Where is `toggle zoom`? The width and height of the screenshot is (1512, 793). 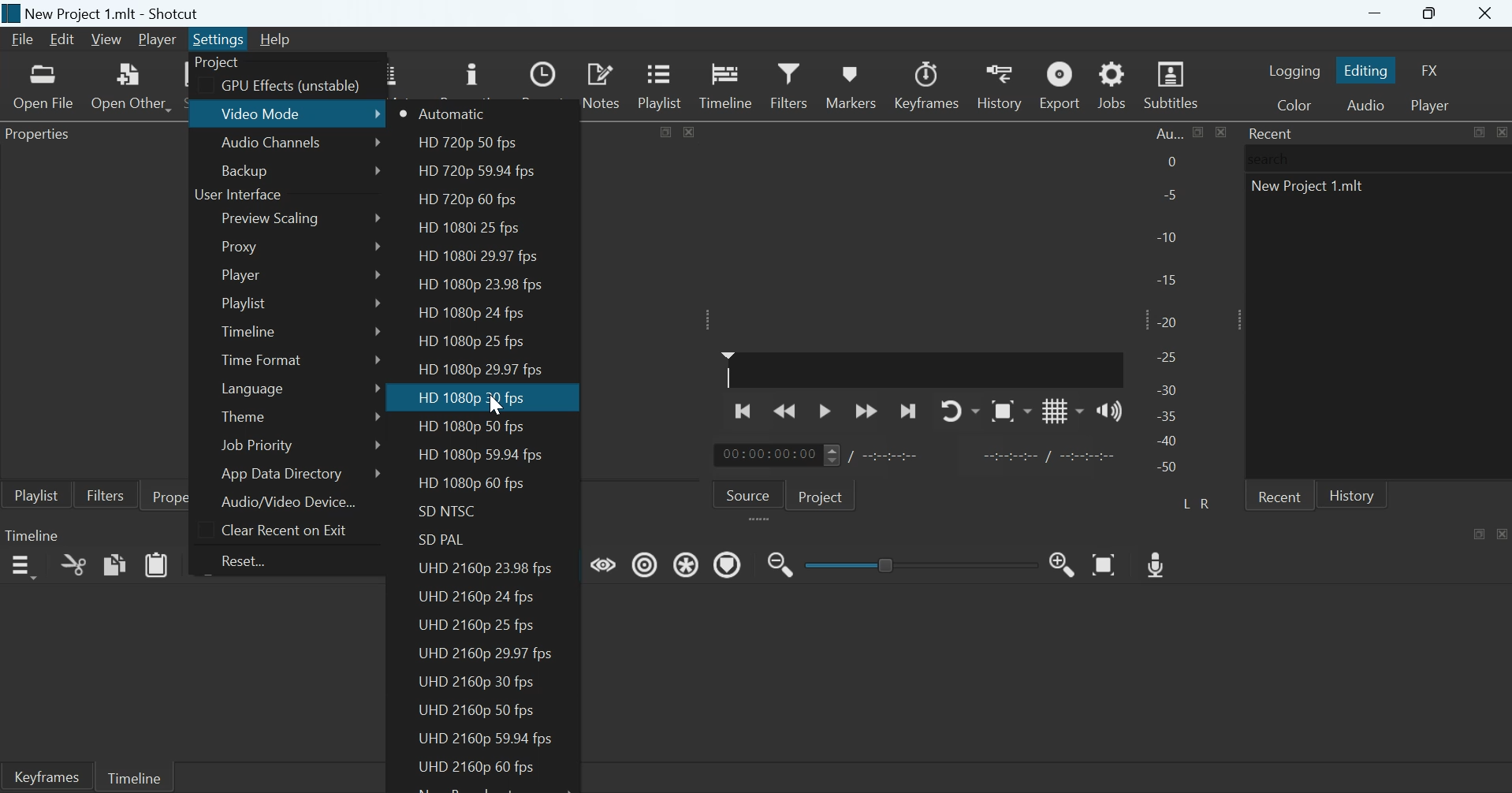 toggle zoom is located at coordinates (1011, 411).